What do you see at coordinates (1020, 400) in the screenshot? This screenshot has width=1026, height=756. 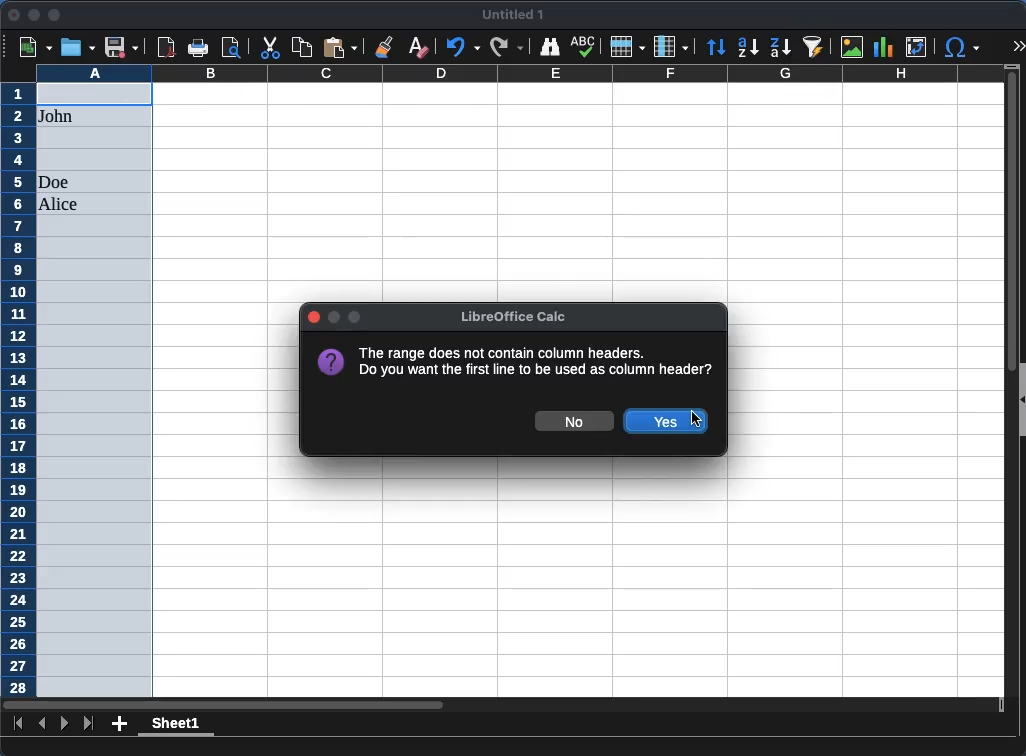 I see `collapse` at bounding box center [1020, 400].